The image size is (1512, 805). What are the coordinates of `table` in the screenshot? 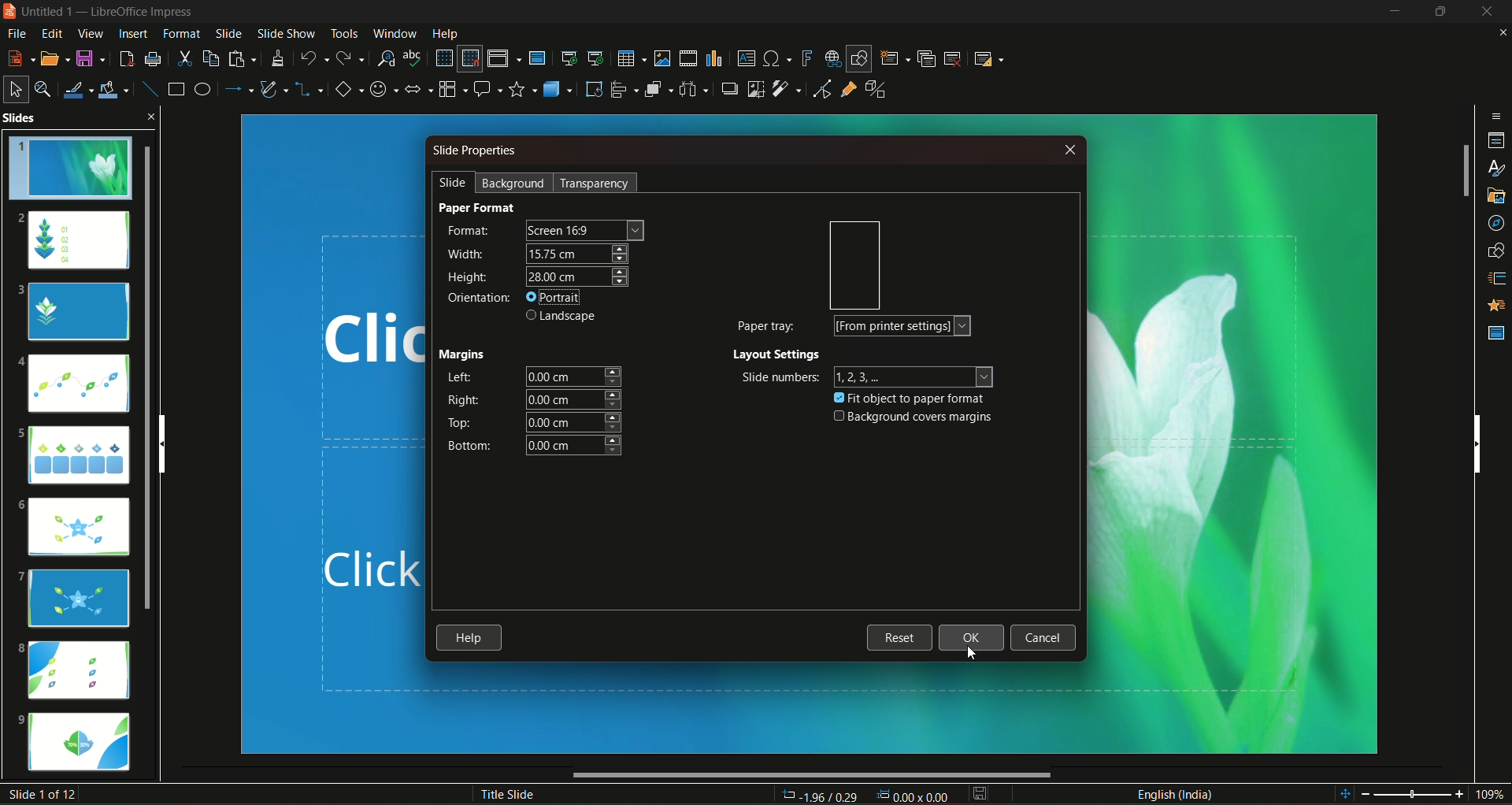 It's located at (629, 57).